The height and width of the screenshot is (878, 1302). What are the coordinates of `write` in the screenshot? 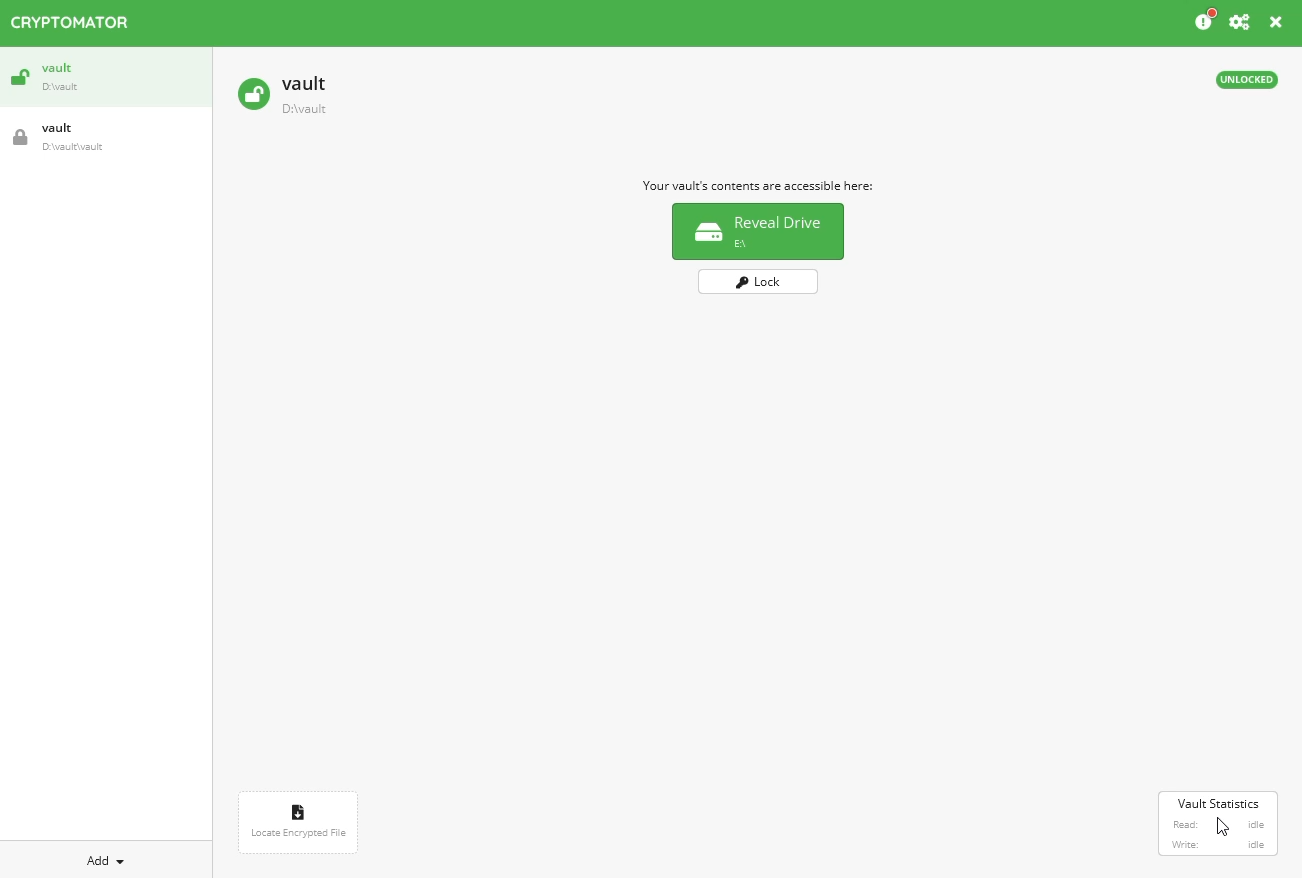 It's located at (1185, 845).